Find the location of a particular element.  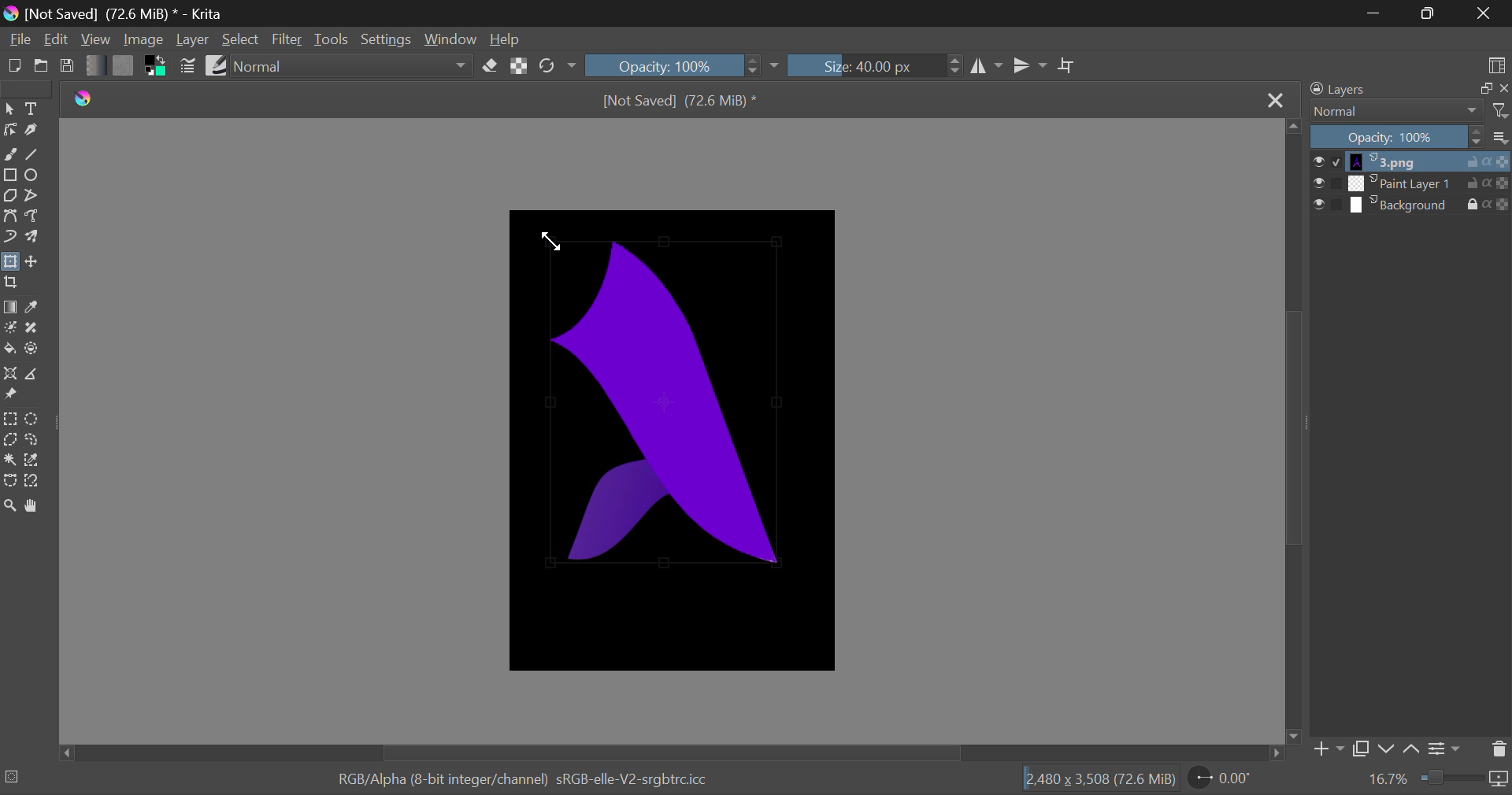

Delete Layer is located at coordinates (1495, 749).